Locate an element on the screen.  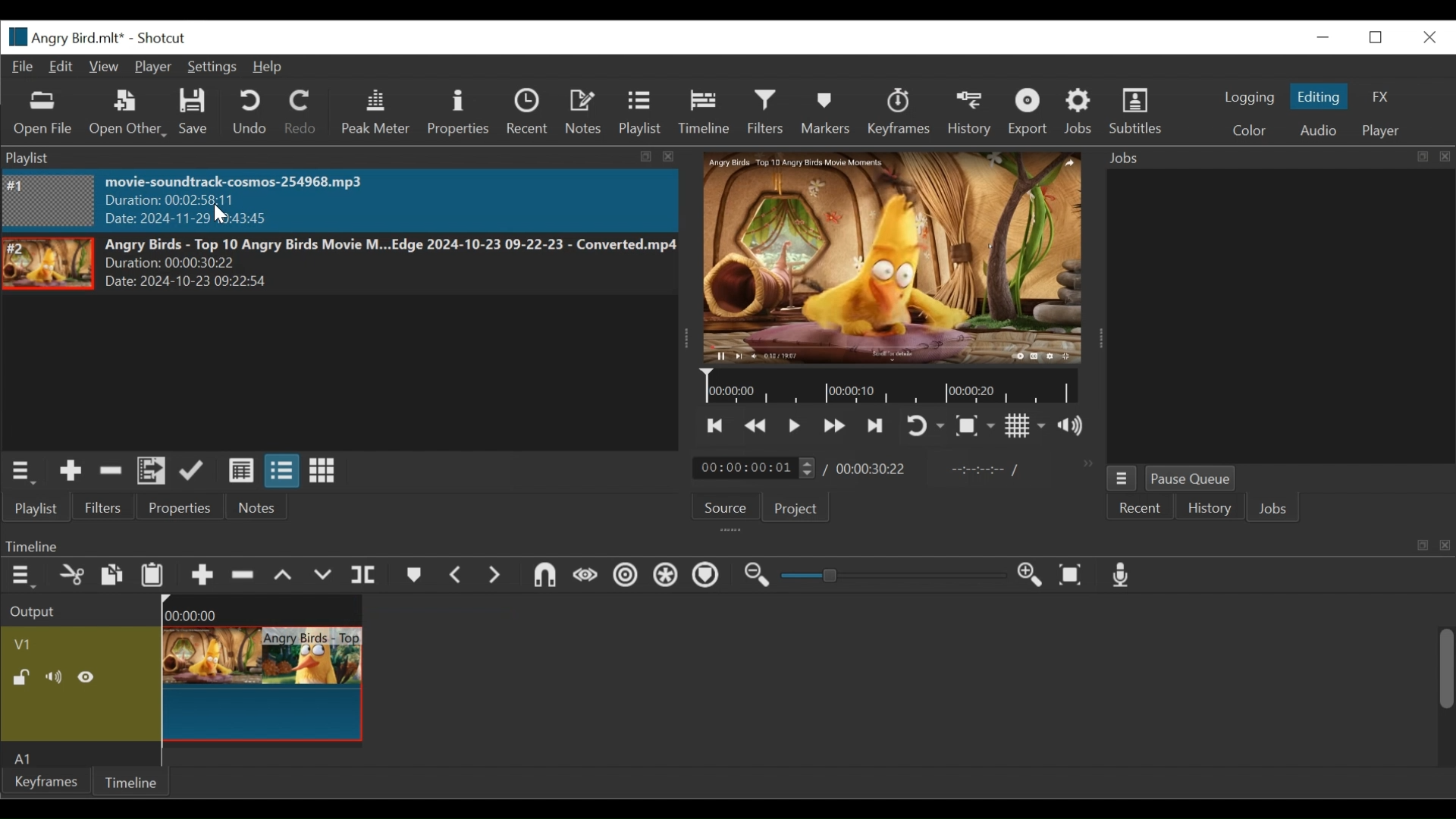
Append is located at coordinates (201, 576).